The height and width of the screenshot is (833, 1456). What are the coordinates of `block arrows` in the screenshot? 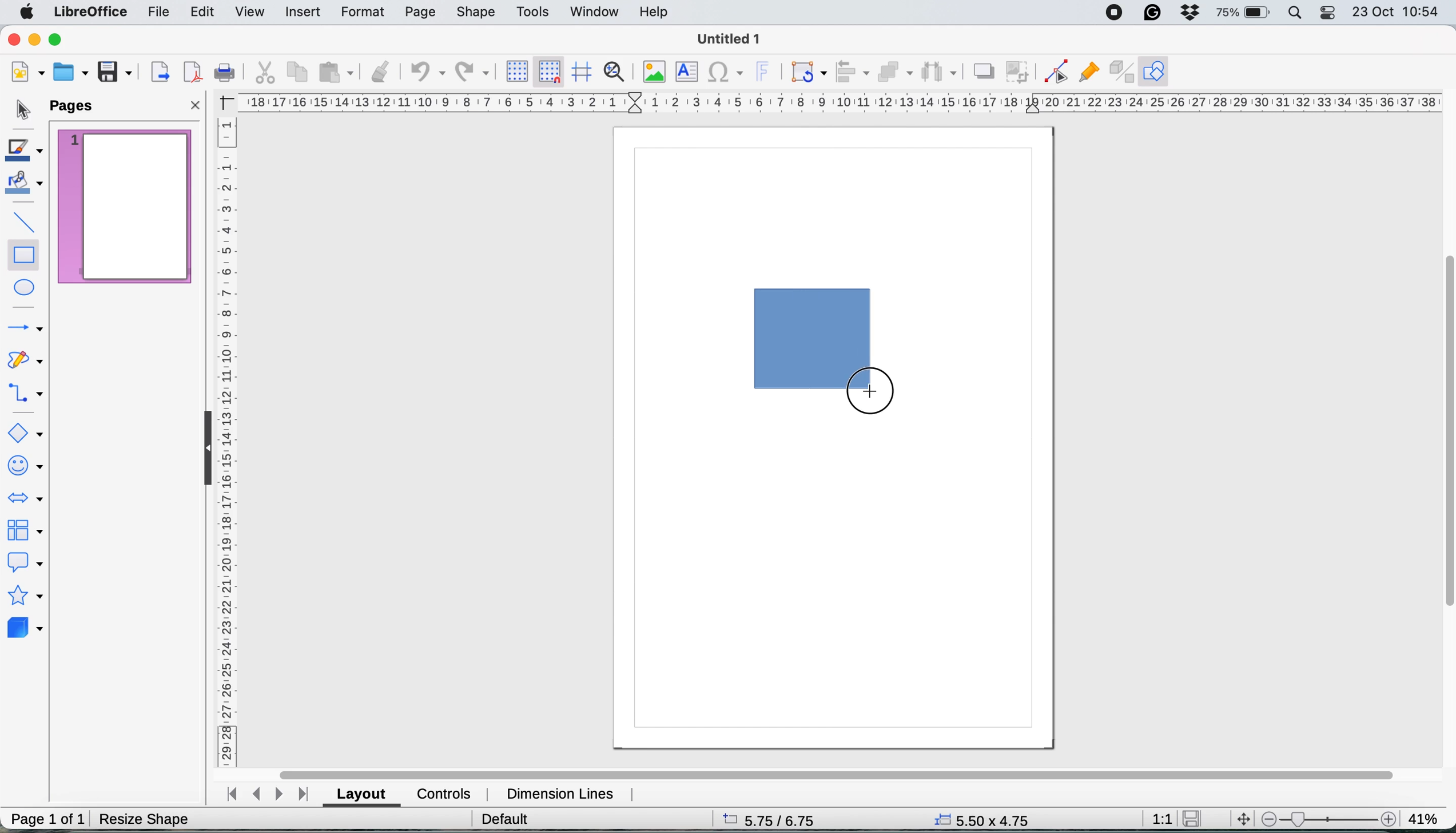 It's located at (27, 501).